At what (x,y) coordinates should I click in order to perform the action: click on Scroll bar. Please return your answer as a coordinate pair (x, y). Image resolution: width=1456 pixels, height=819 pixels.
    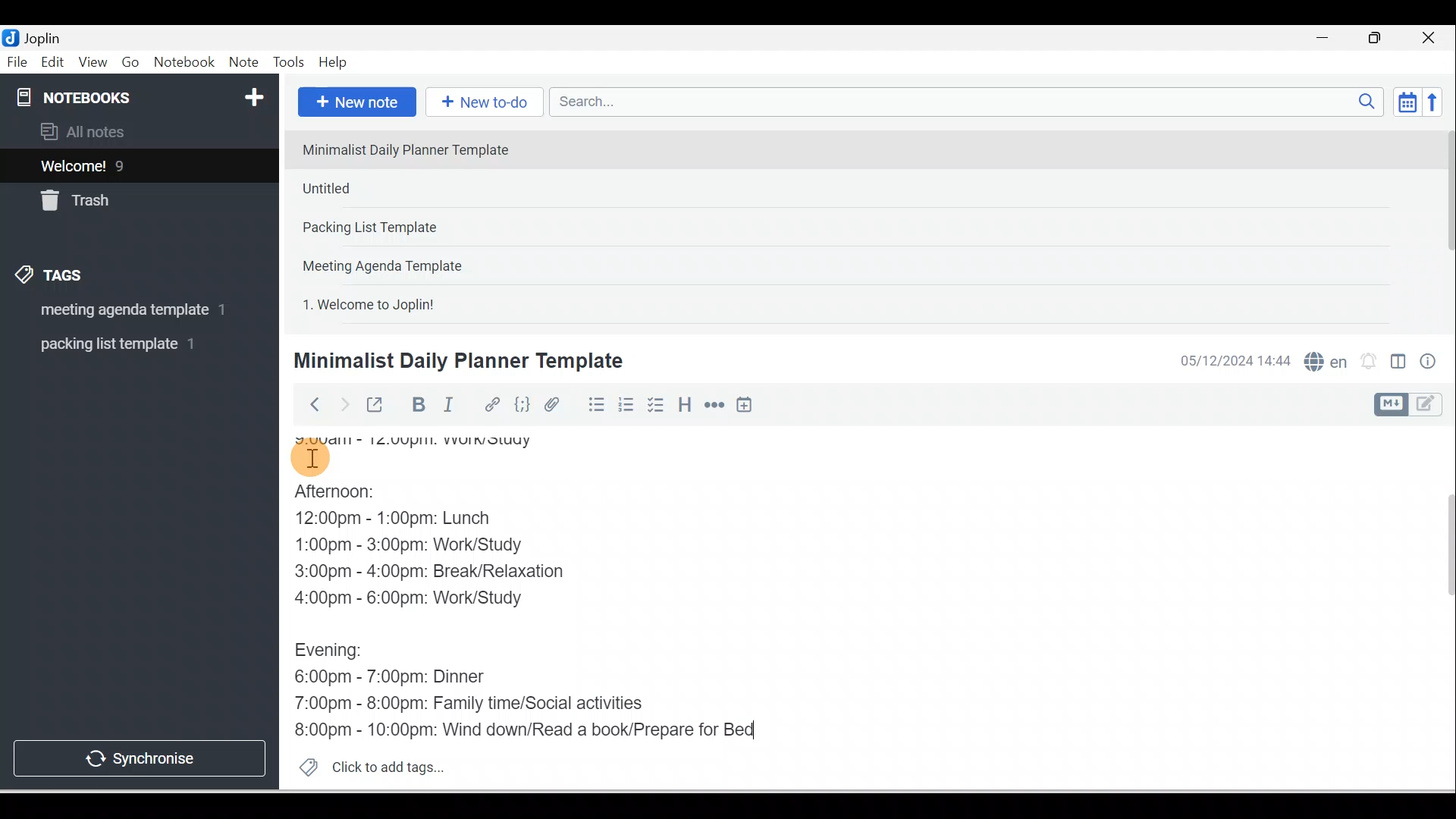
    Looking at the image, I should click on (1439, 608).